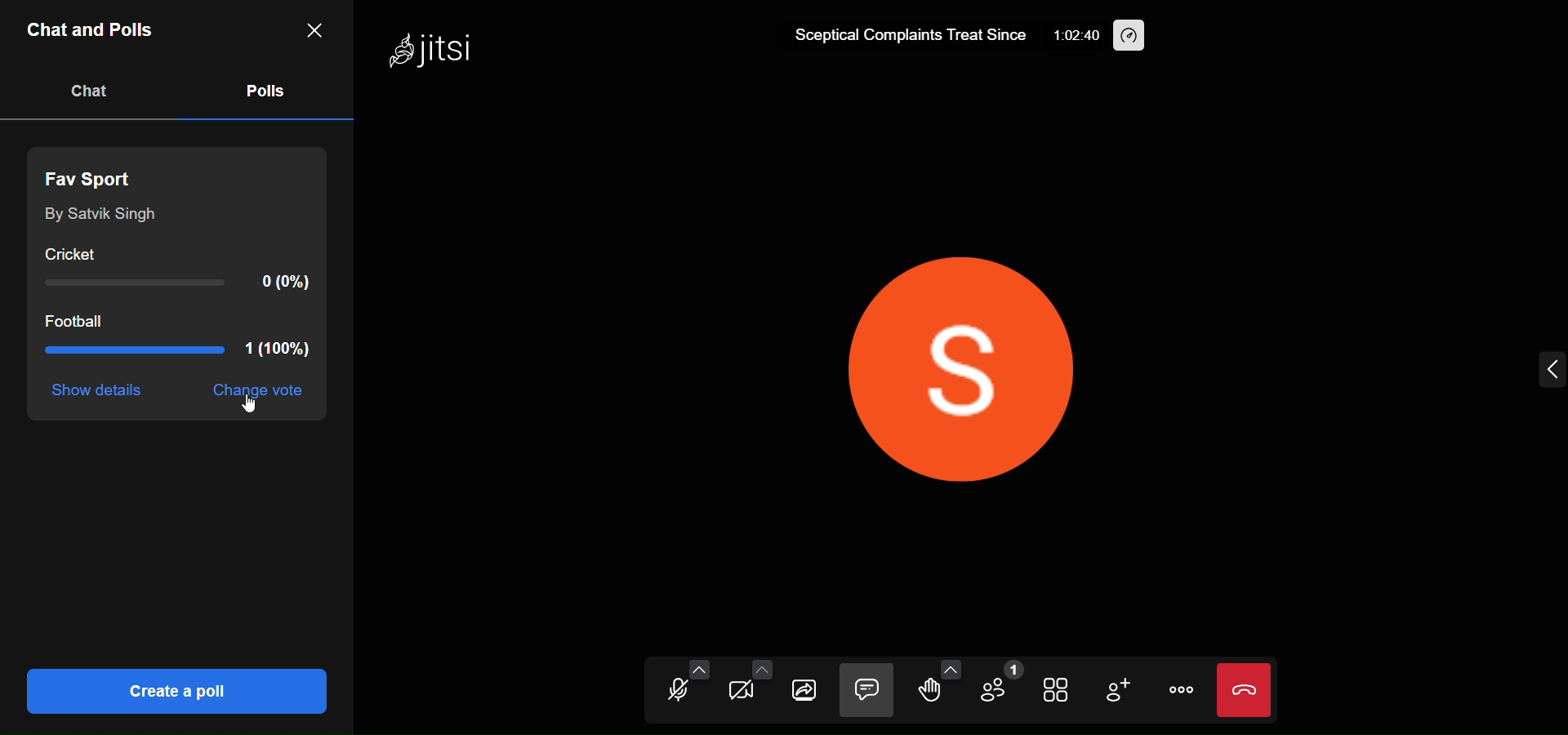 The width and height of the screenshot is (1568, 735). I want to click on Logo, so click(433, 53).